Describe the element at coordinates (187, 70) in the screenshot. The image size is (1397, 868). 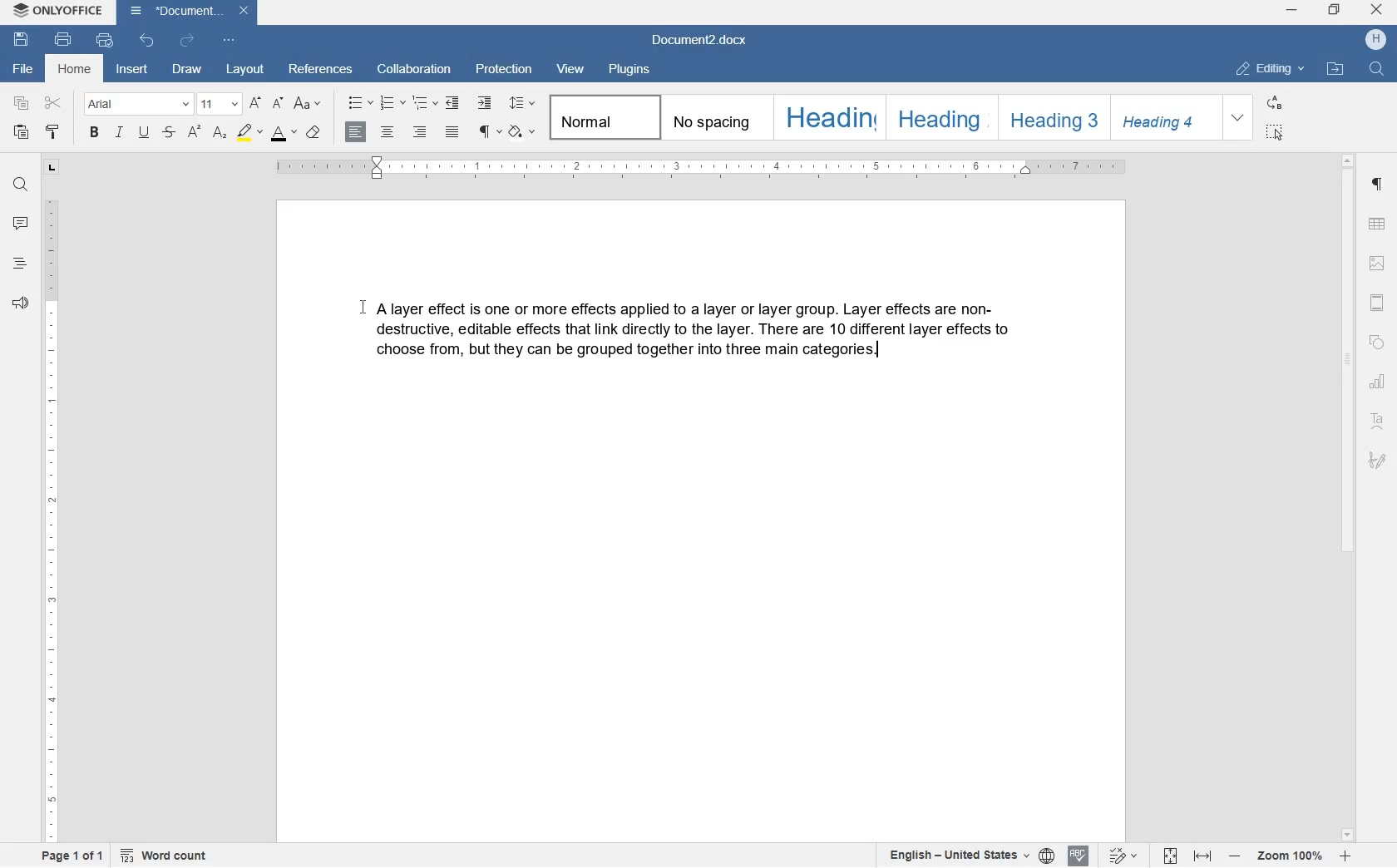
I see `draw` at that location.